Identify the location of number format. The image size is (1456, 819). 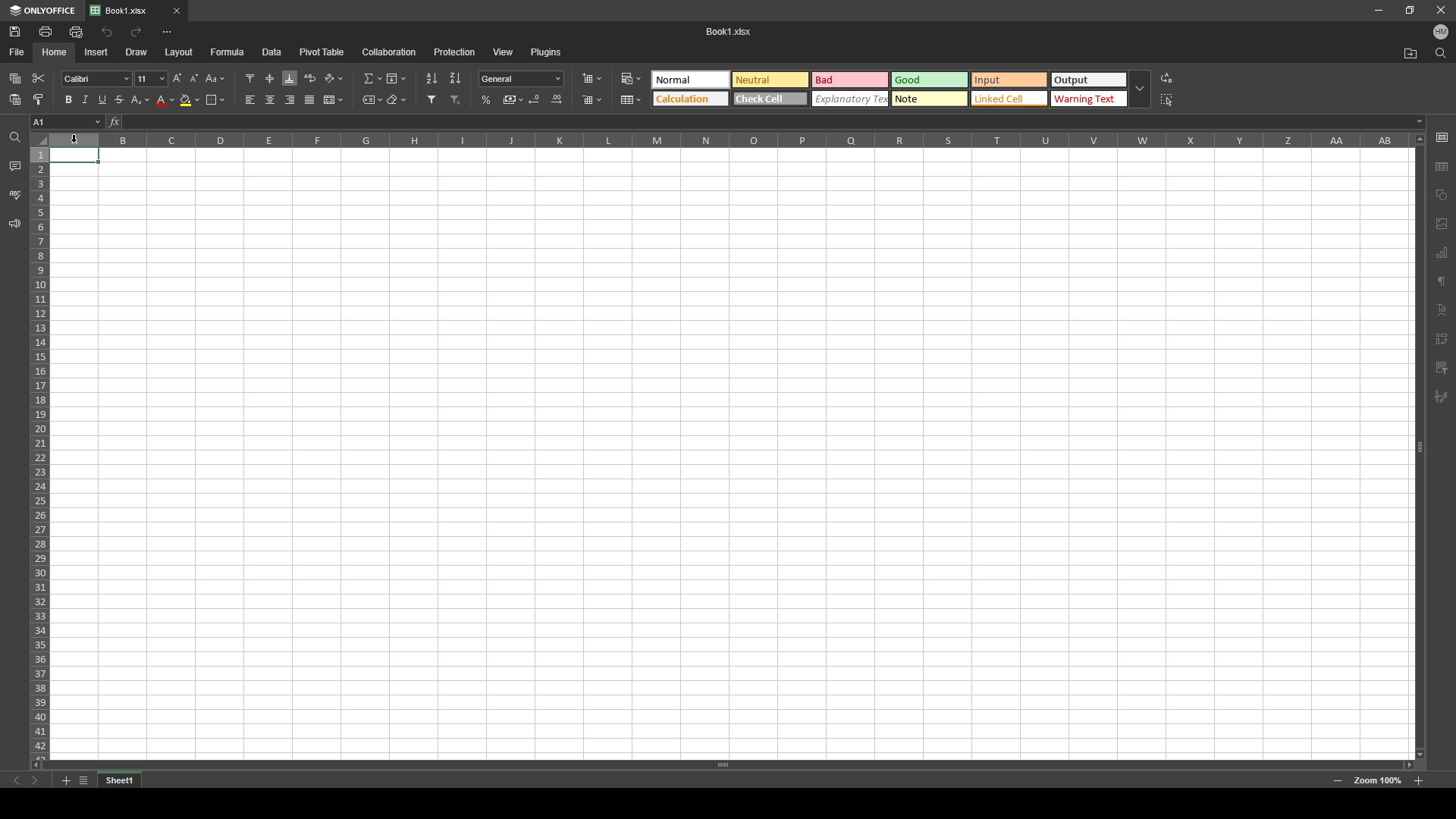
(522, 78).